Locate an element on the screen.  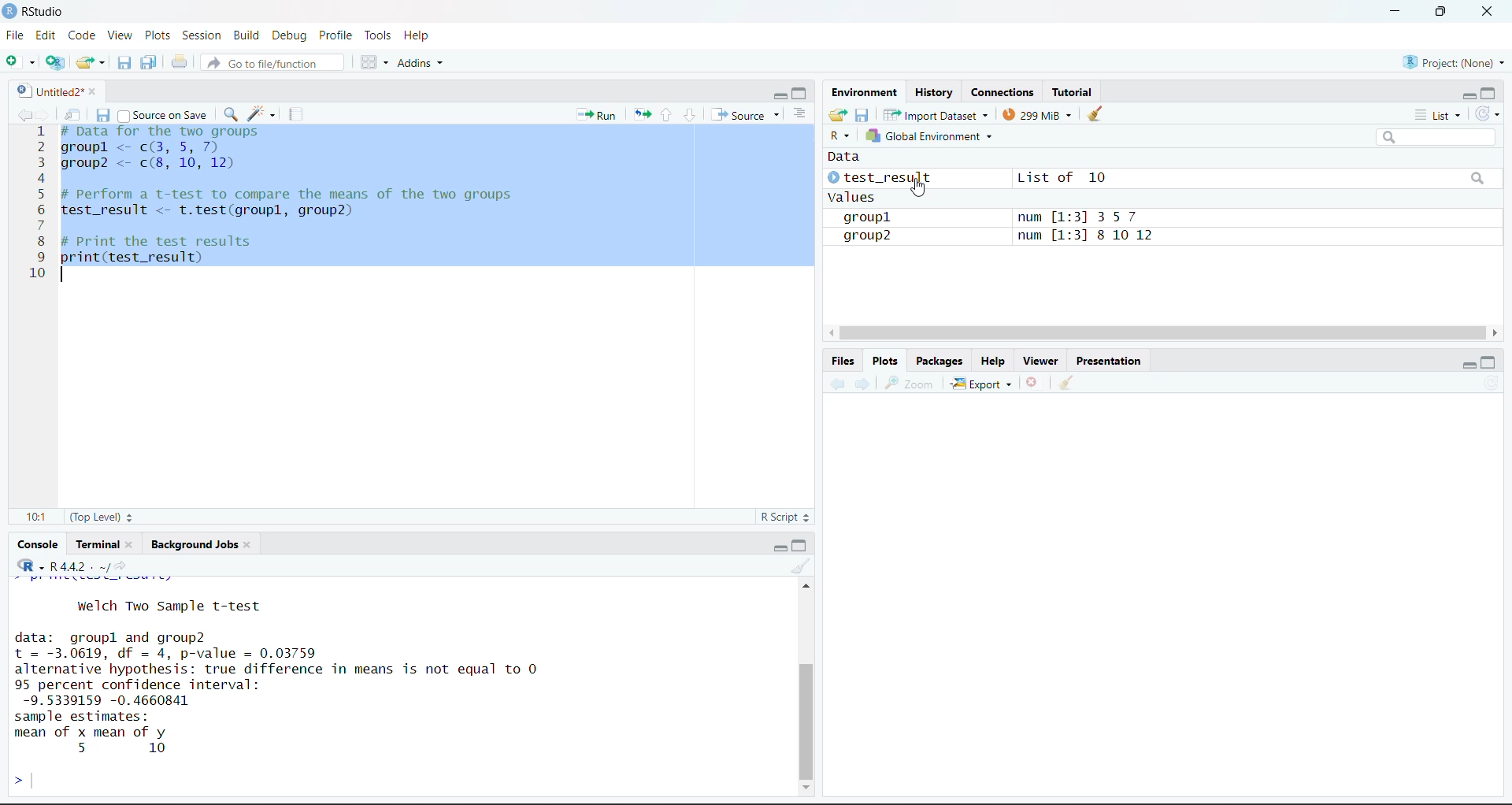
compile report is located at coordinates (294, 113).